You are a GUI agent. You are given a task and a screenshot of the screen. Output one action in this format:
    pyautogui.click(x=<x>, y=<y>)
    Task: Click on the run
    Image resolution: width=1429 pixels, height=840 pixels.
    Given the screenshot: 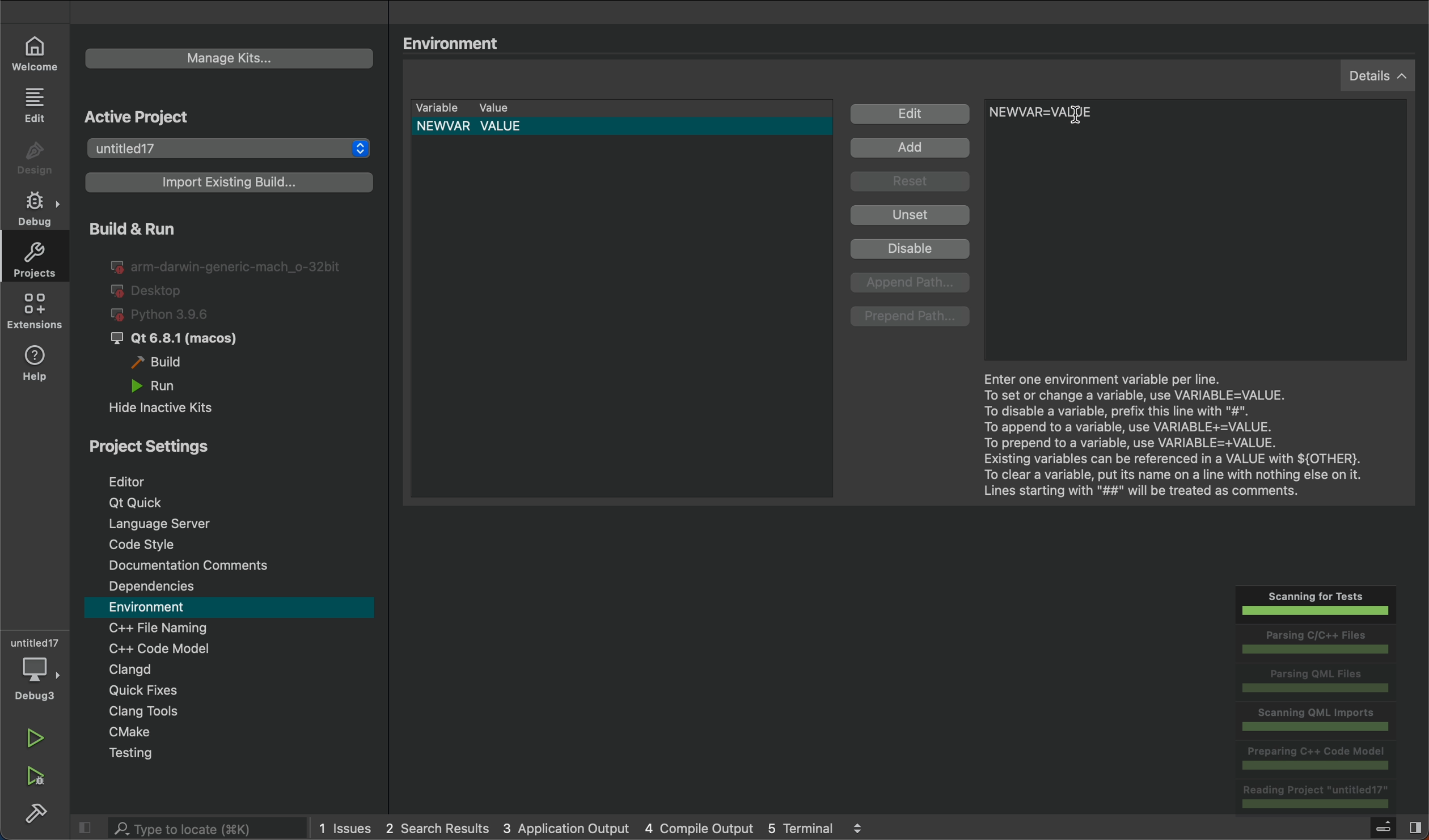 What is the action you would take?
    pyautogui.click(x=174, y=385)
    